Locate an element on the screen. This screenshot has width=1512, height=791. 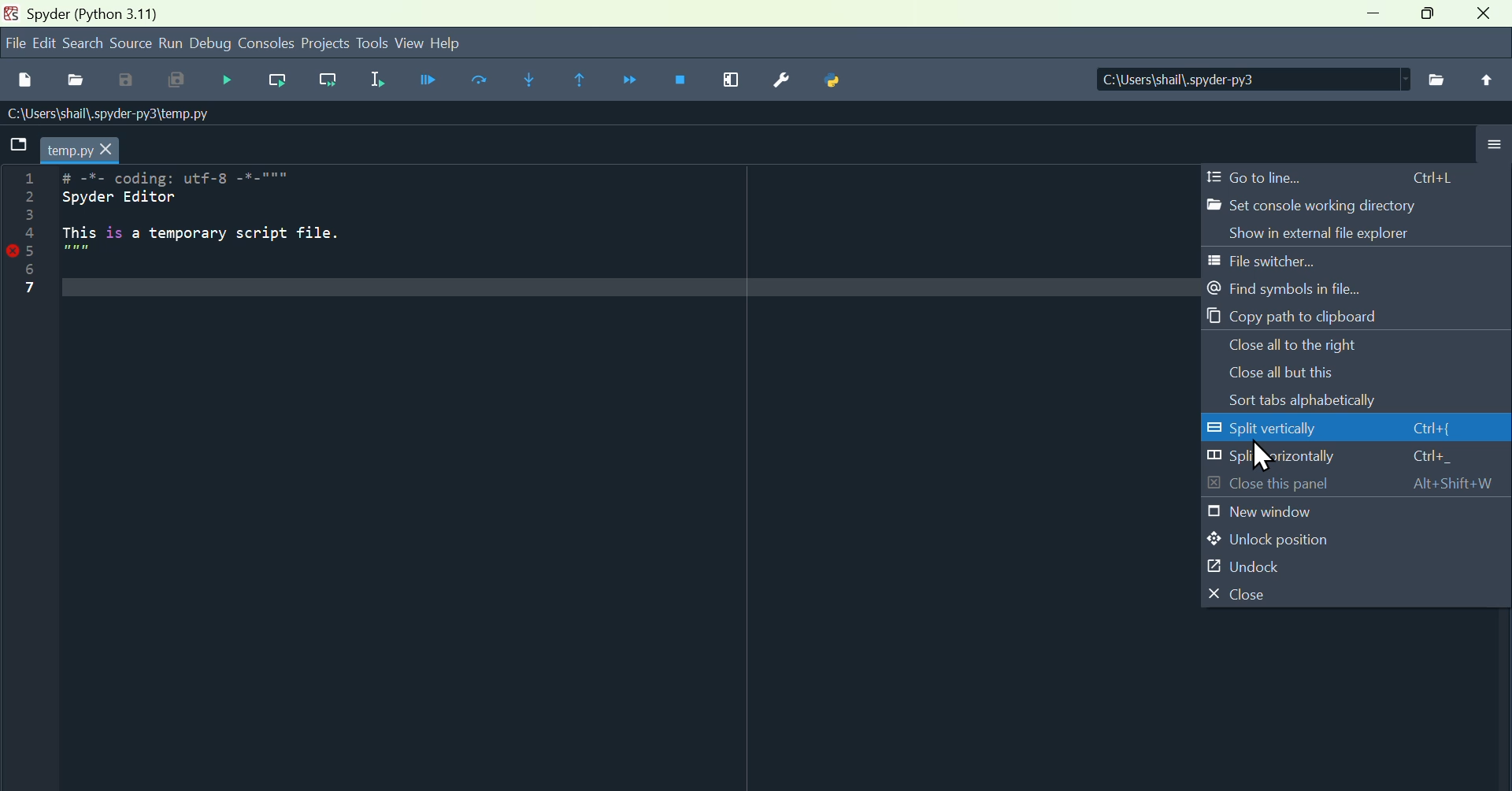
temp.py  is located at coordinates (87, 149).